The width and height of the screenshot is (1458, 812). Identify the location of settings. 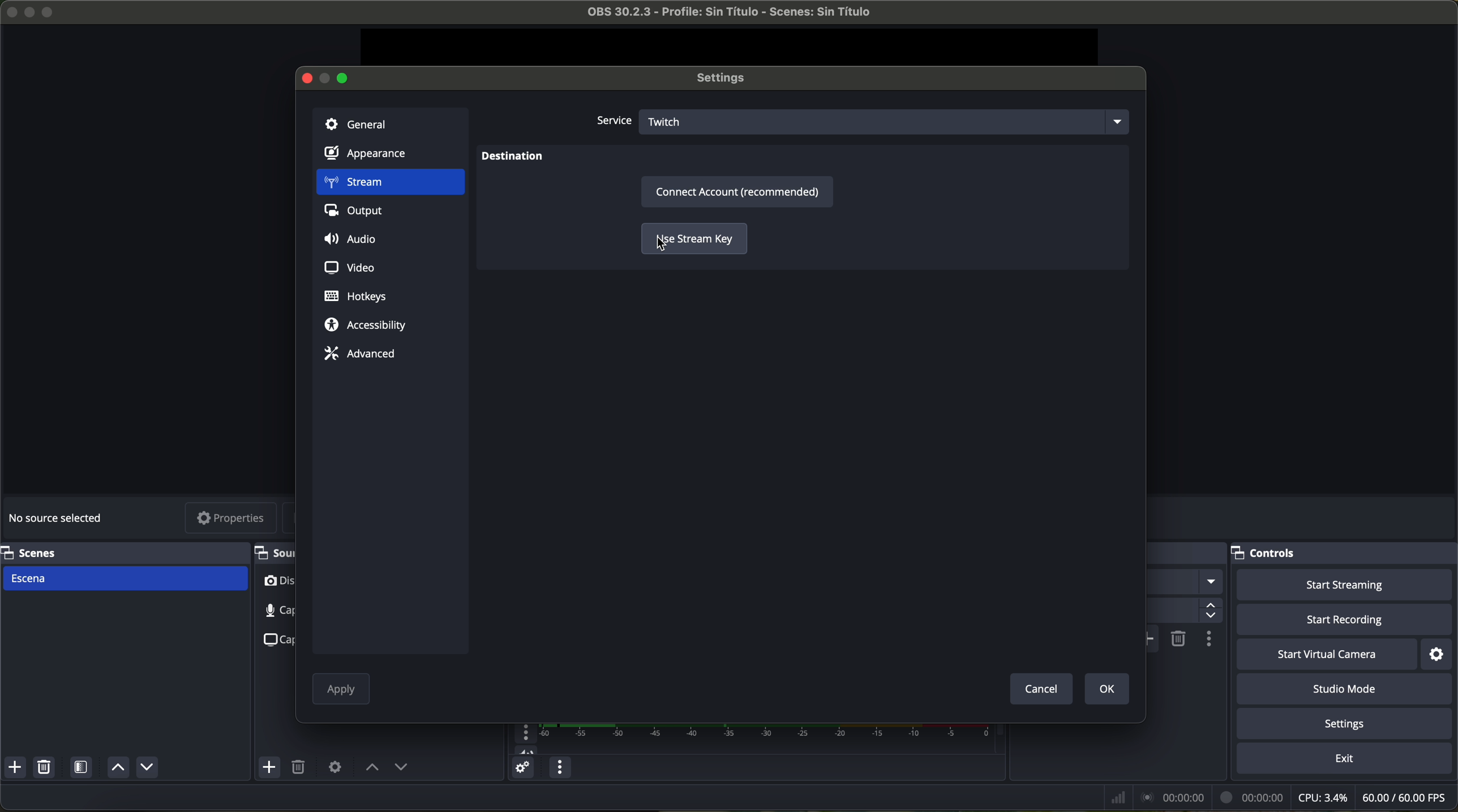
(726, 79).